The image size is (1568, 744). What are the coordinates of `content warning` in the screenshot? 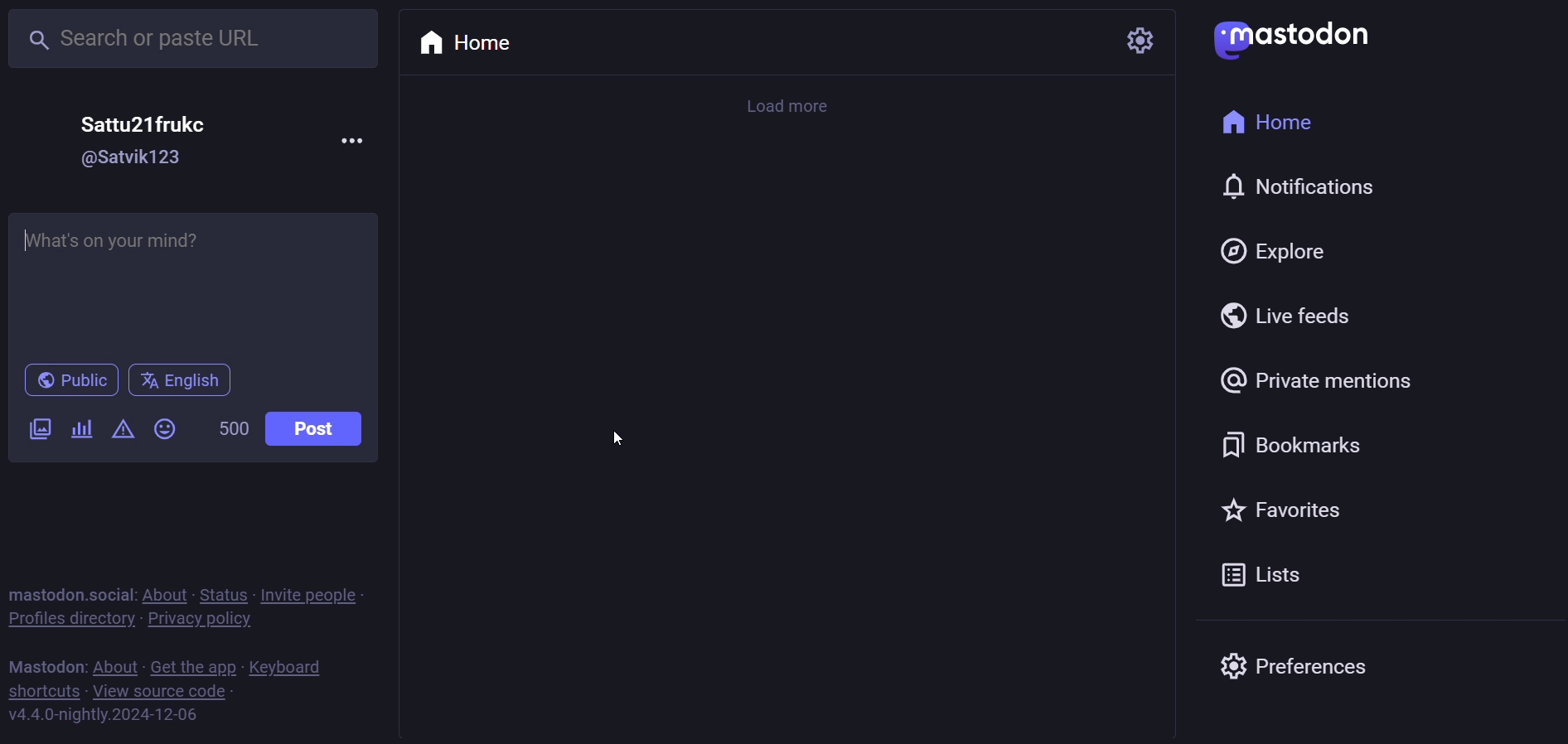 It's located at (123, 431).